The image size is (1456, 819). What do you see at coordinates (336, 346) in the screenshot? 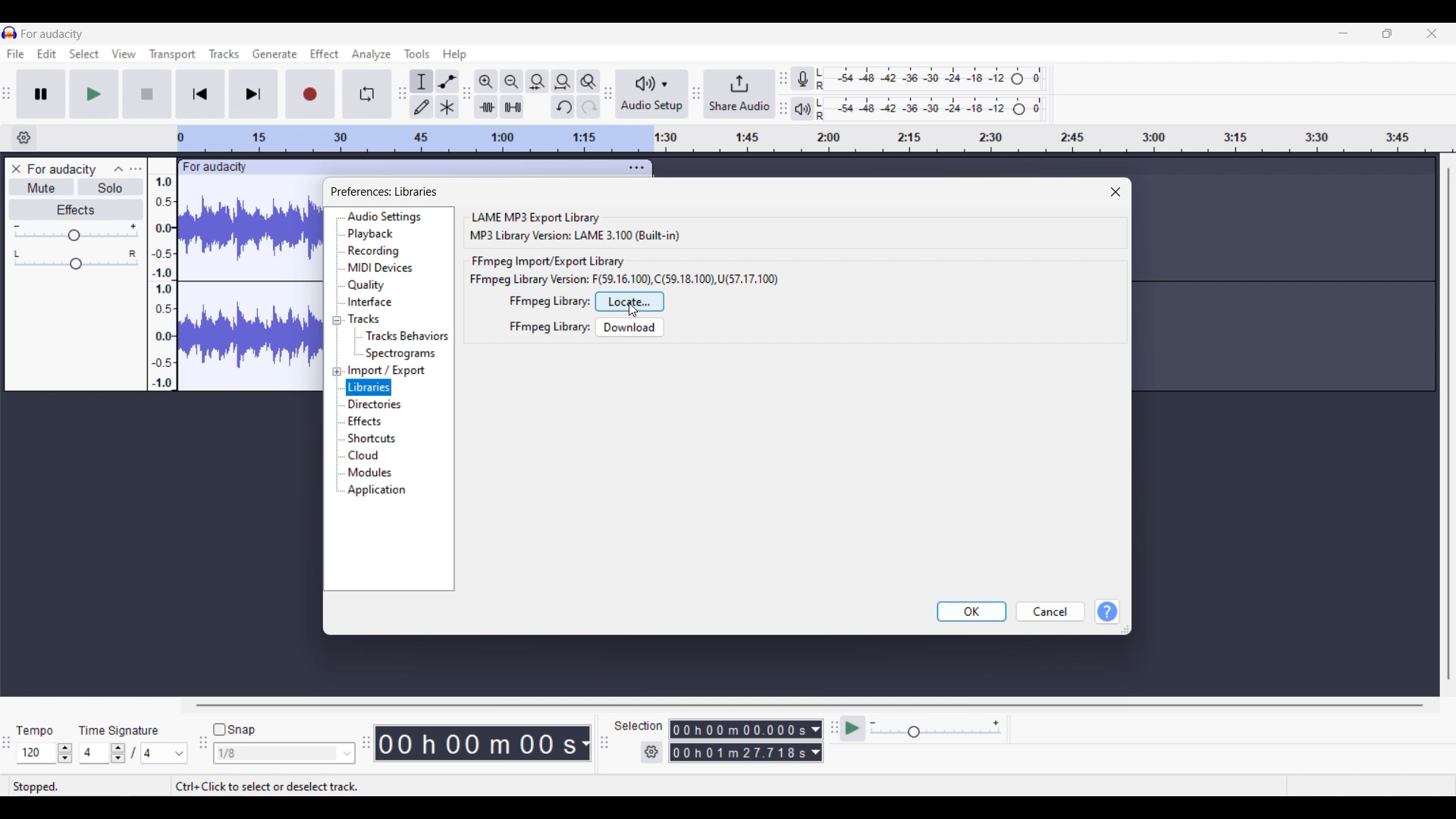
I see `expand menu` at bounding box center [336, 346].